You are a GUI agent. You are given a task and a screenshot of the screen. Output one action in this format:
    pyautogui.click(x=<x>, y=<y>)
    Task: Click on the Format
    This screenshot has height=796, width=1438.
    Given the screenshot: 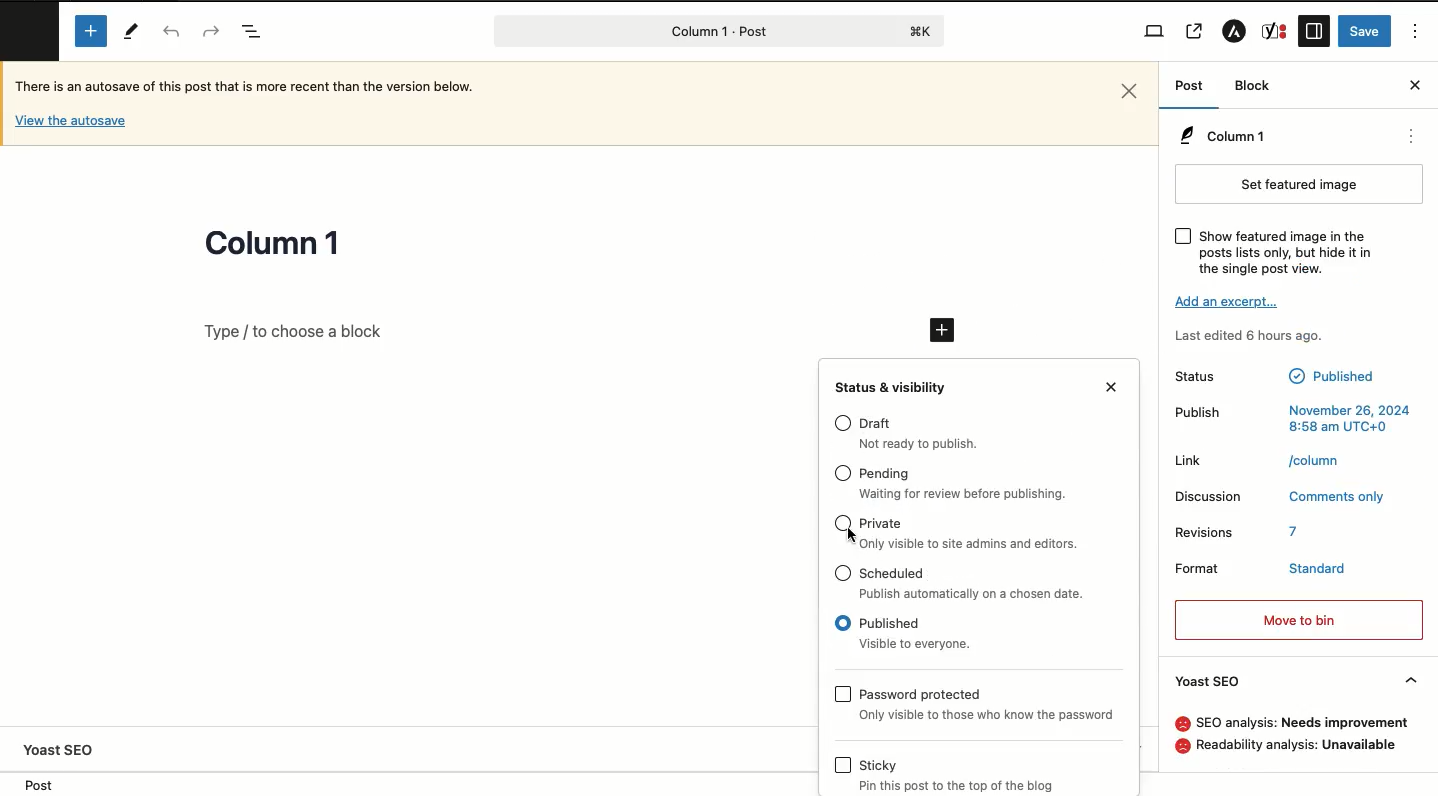 What is the action you would take?
    pyautogui.click(x=1198, y=567)
    